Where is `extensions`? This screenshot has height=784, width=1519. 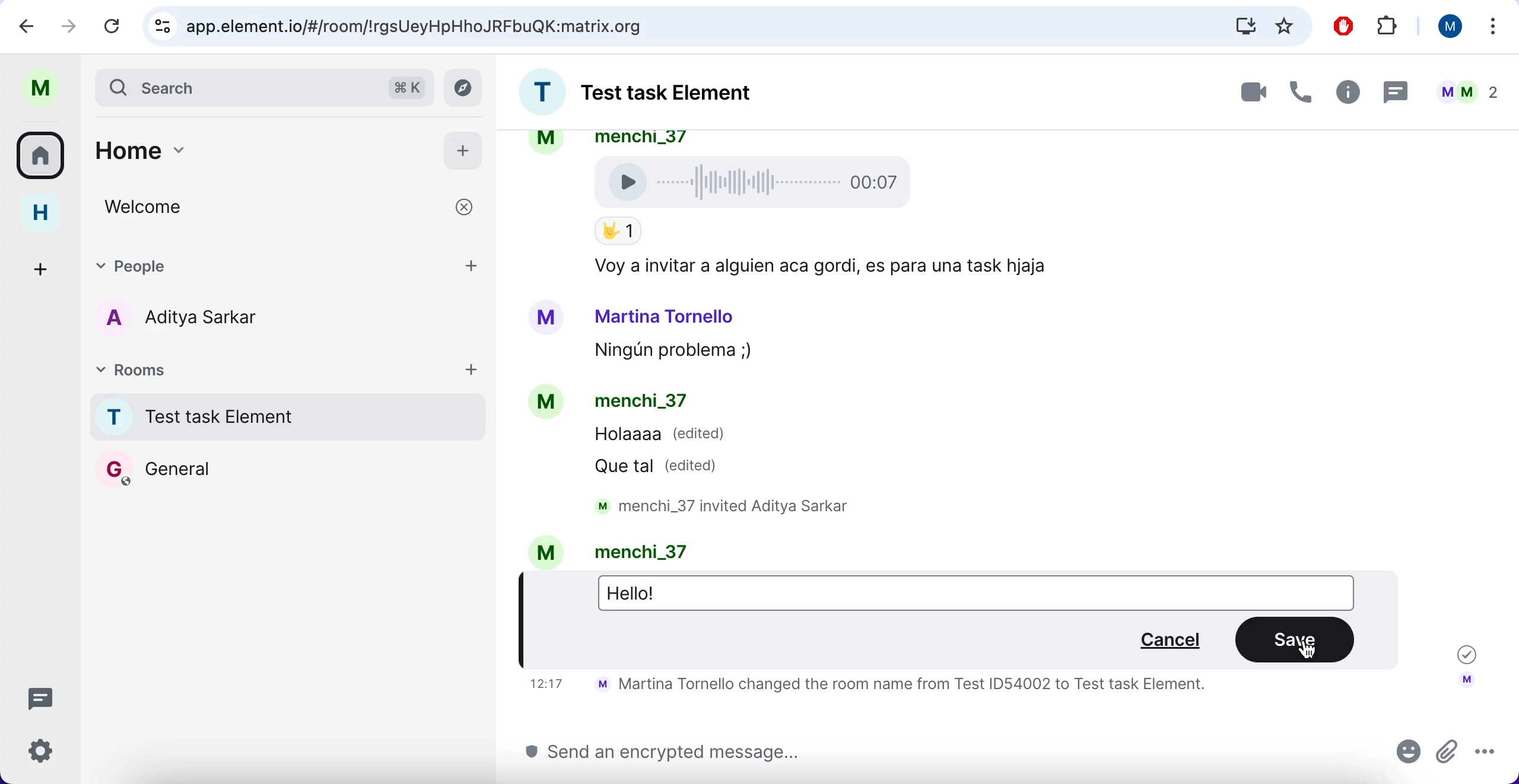 extensions is located at coordinates (1394, 26).